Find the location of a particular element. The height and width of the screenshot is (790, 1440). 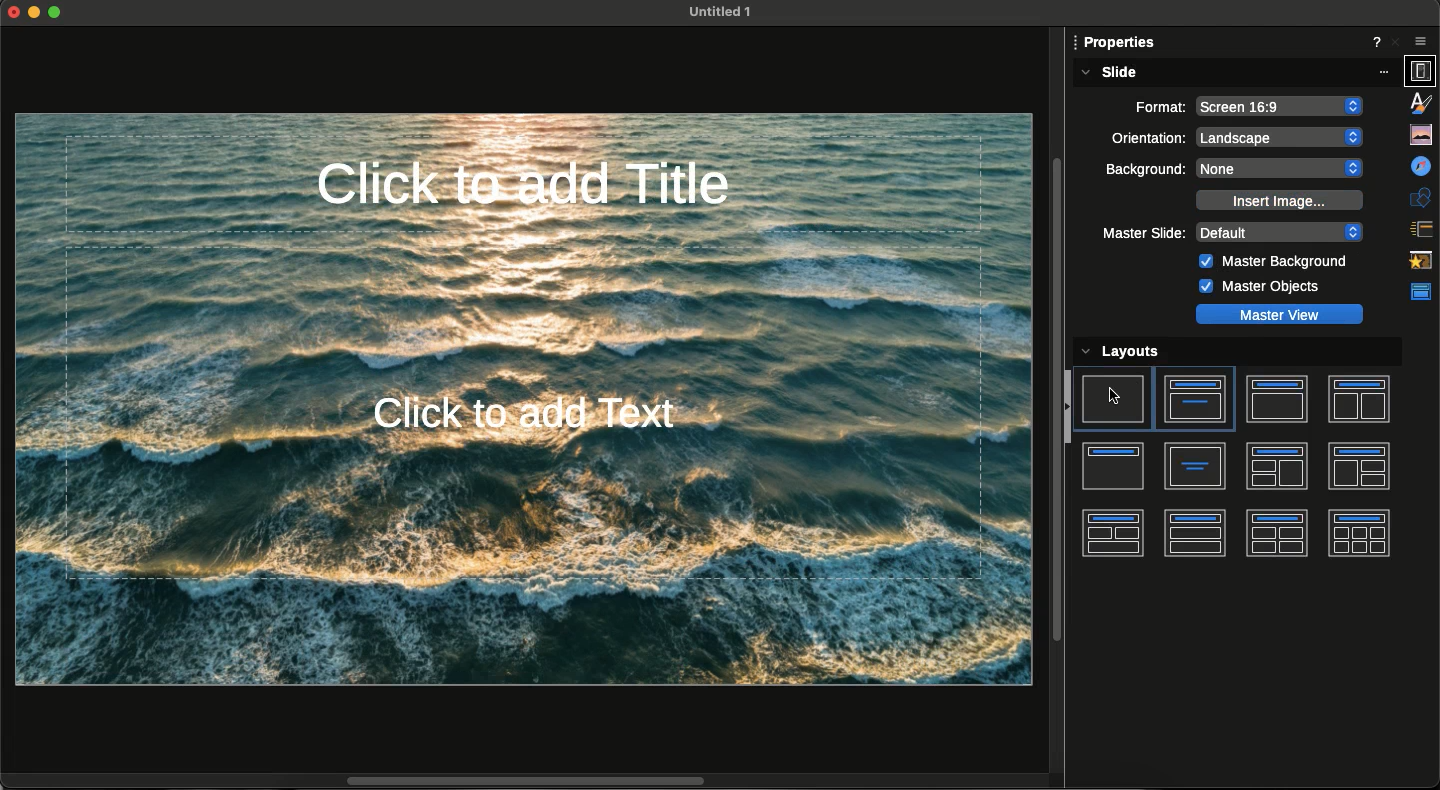

Insert image is located at coordinates (1277, 200).